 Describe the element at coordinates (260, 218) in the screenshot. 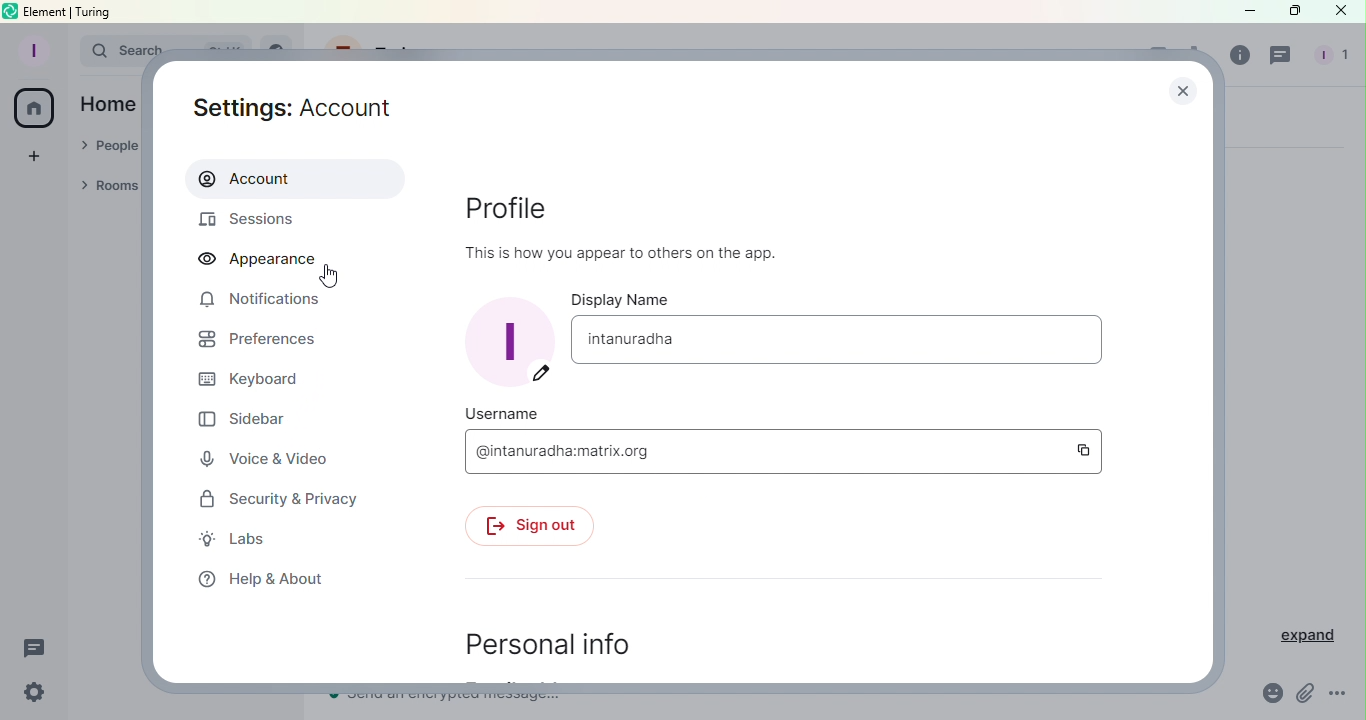

I see `Sessions` at that location.